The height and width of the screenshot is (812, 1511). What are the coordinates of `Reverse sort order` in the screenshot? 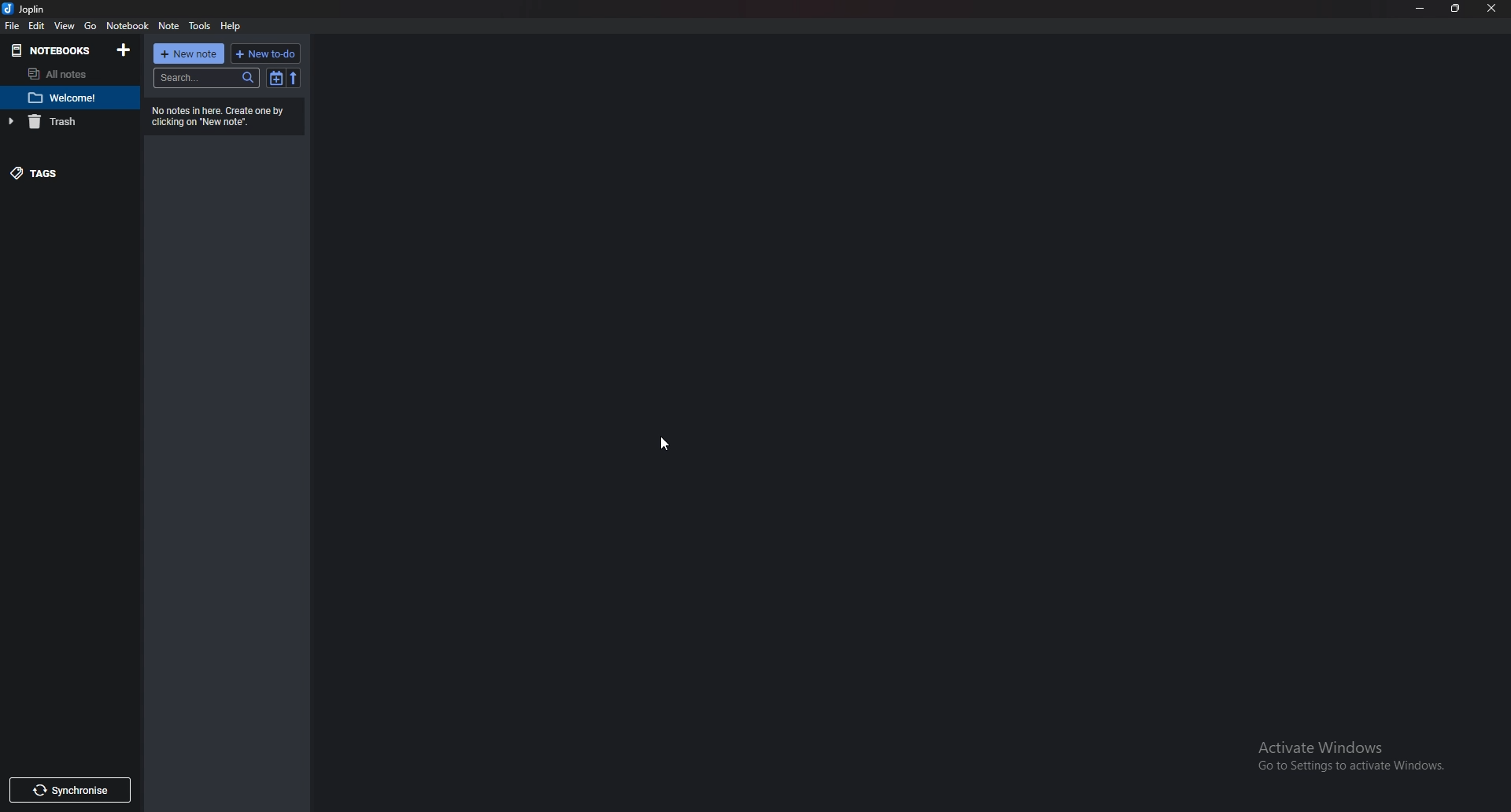 It's located at (296, 78).